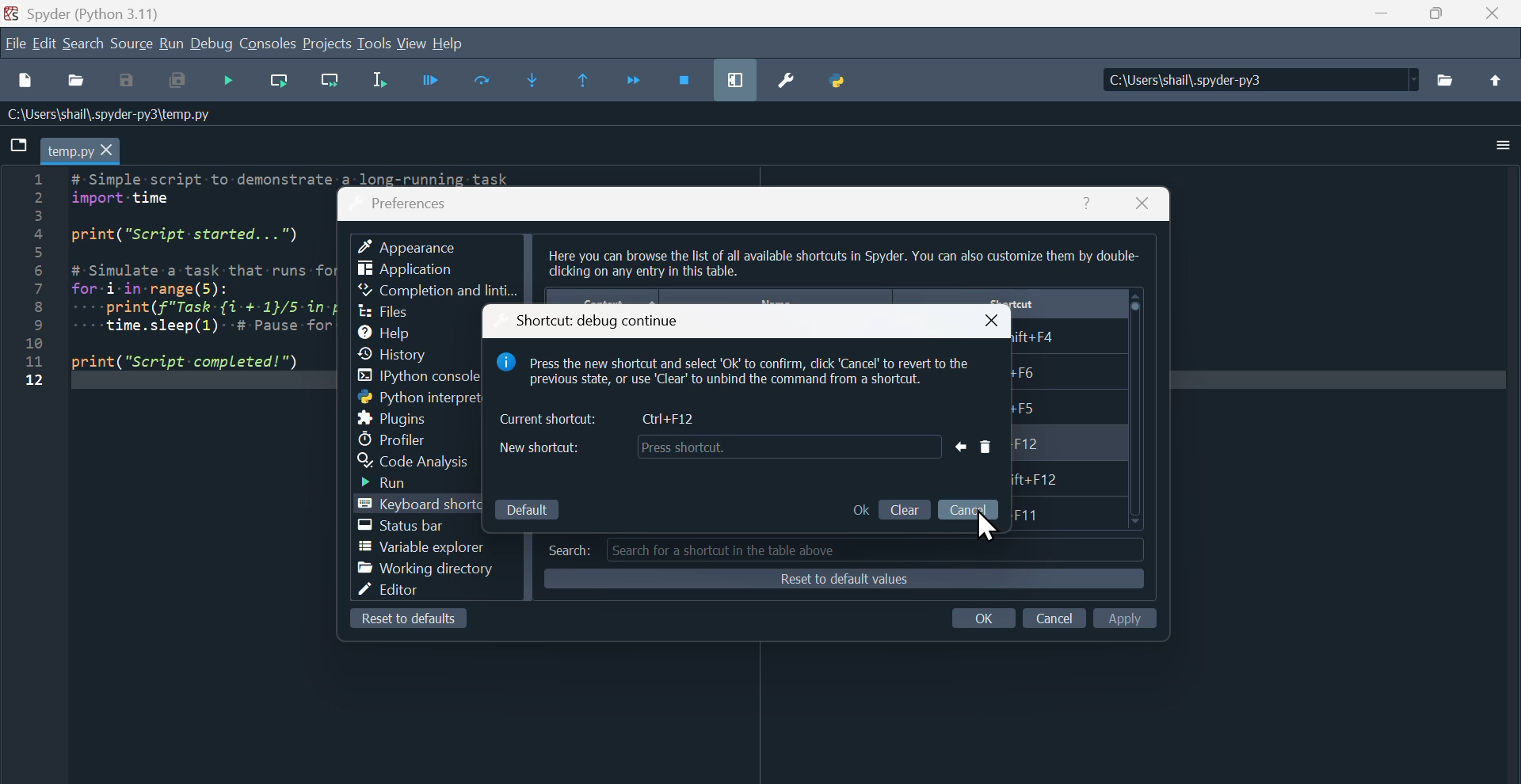  I want to click on Run selection, so click(382, 82).